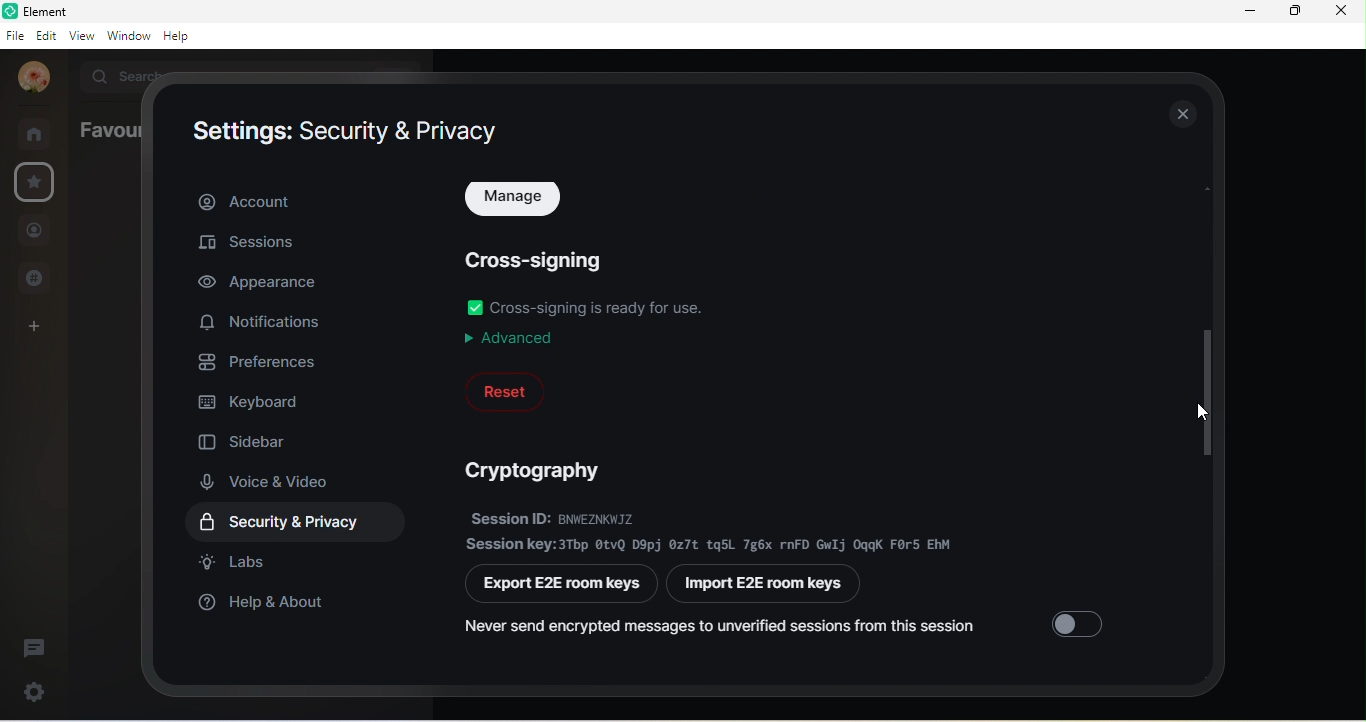  Describe the element at coordinates (248, 438) in the screenshot. I see `sidebar` at that location.